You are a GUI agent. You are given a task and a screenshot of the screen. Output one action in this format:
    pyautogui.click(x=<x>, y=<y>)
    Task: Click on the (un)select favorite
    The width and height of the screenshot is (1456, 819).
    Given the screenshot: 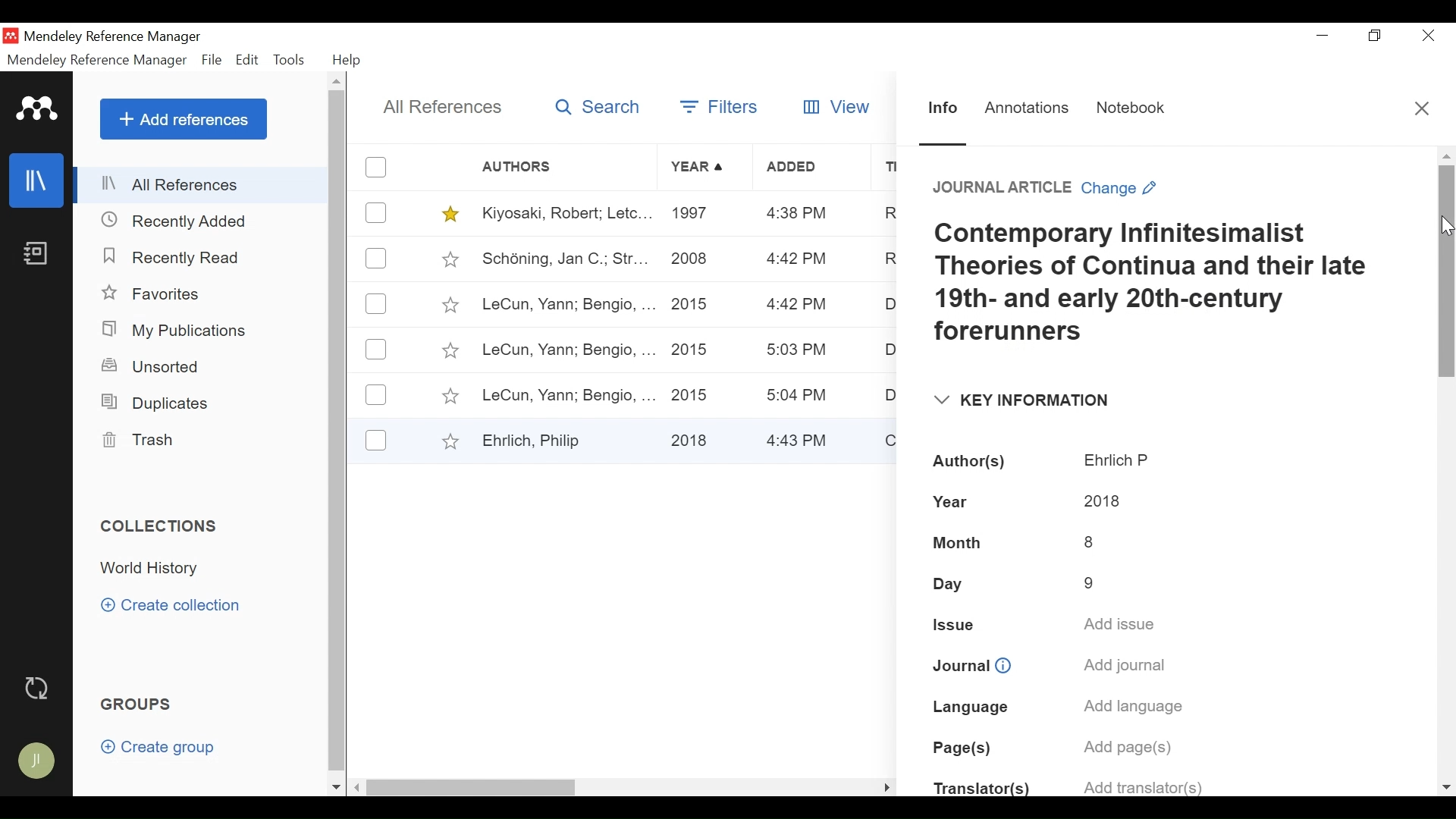 What is the action you would take?
    pyautogui.click(x=448, y=351)
    